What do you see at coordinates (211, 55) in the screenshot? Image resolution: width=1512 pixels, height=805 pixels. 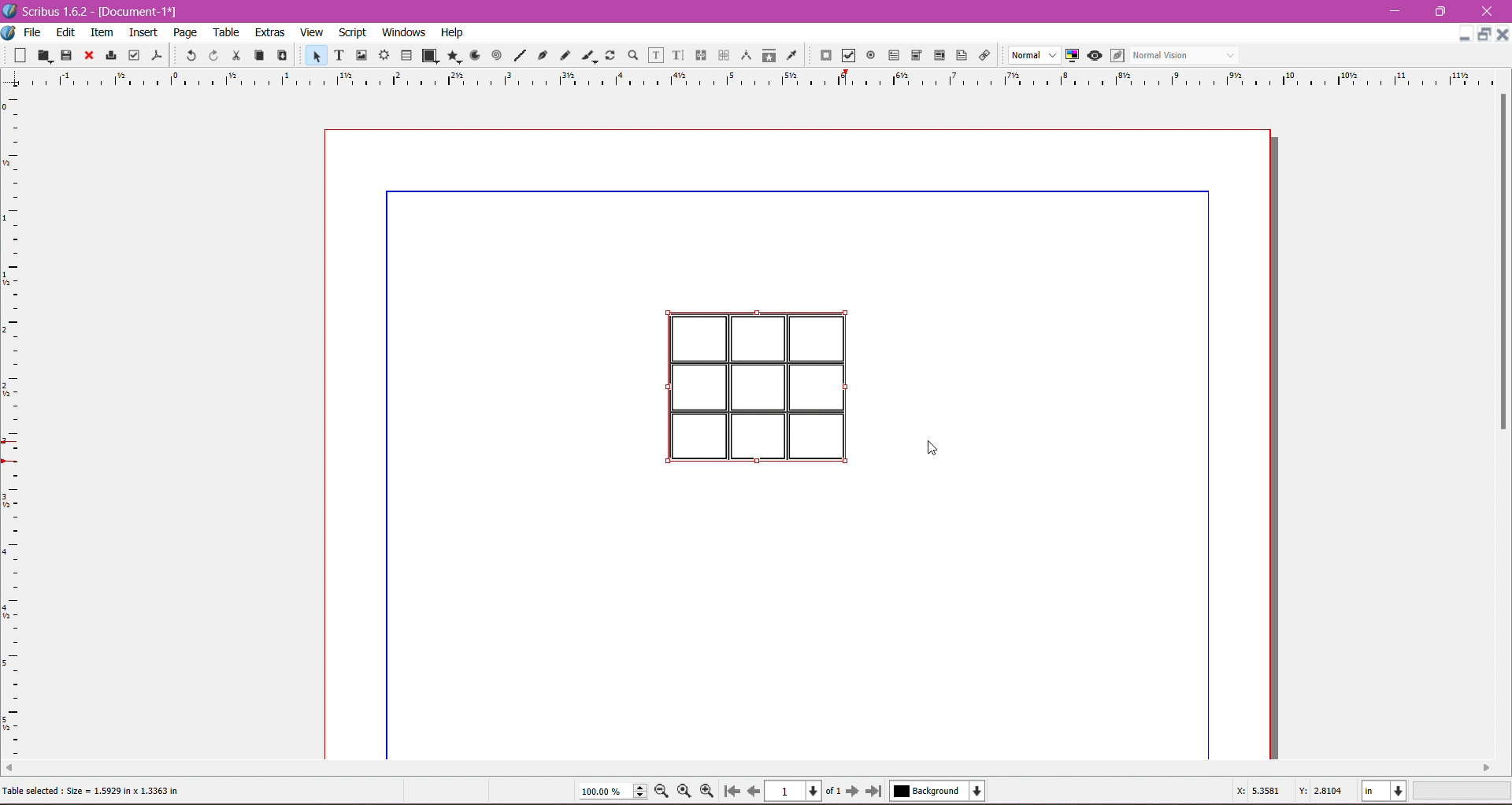 I see `Redo` at bounding box center [211, 55].